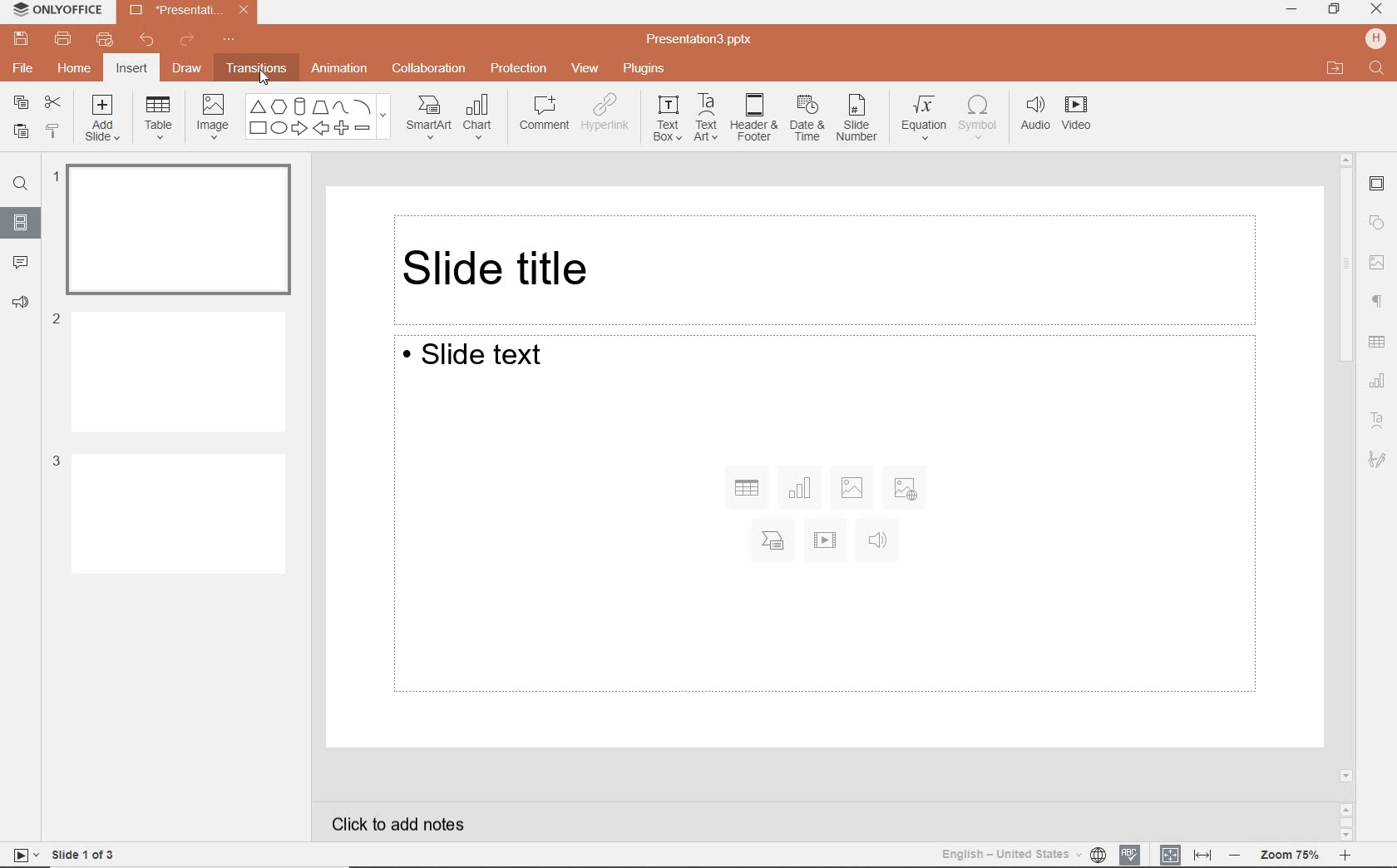 The height and width of the screenshot is (868, 1397). I want to click on LINE, so click(363, 106).